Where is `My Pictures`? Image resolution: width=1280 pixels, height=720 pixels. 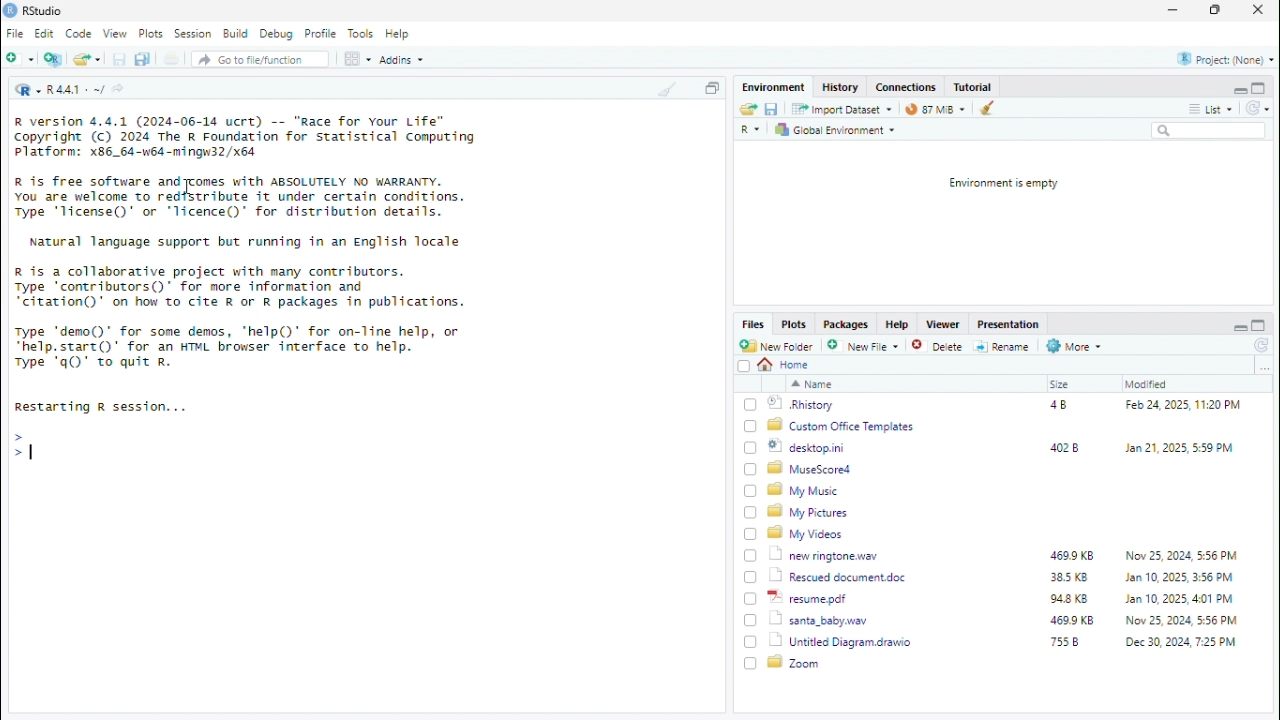 My Pictures is located at coordinates (811, 512).